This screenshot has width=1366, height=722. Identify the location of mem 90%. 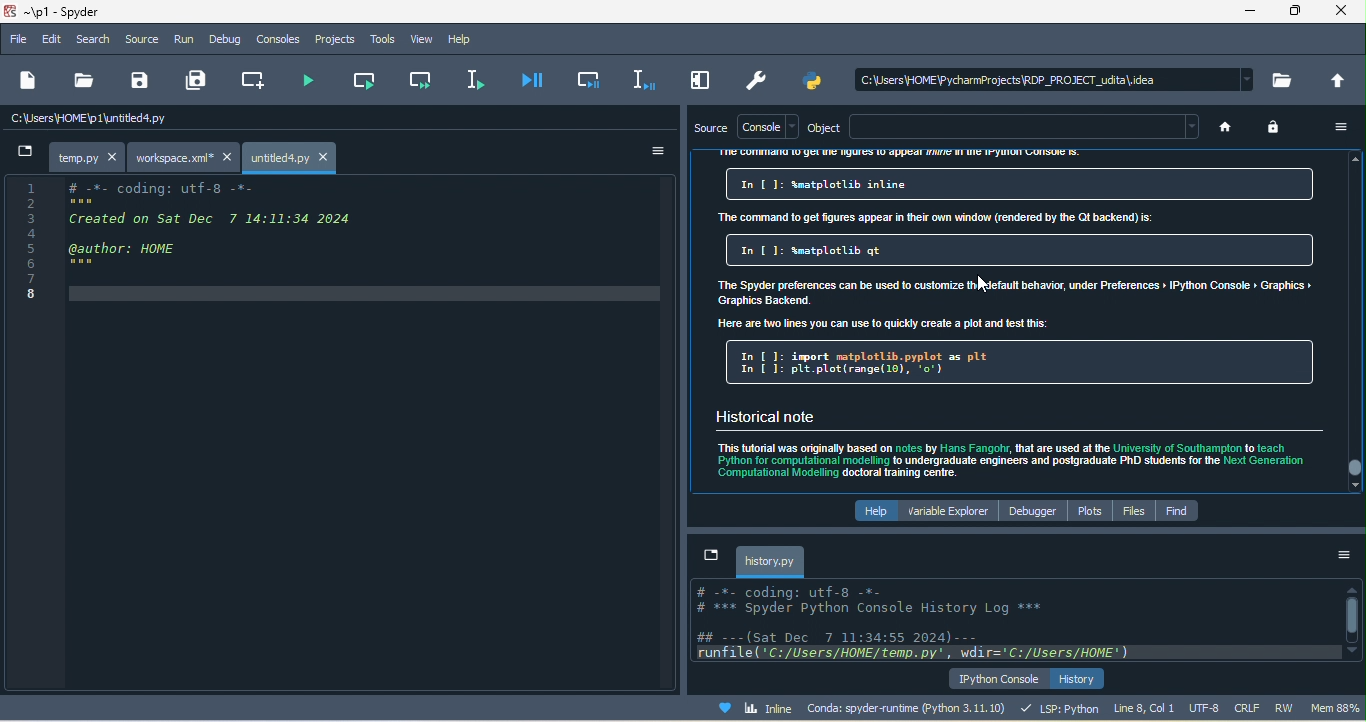
(1334, 711).